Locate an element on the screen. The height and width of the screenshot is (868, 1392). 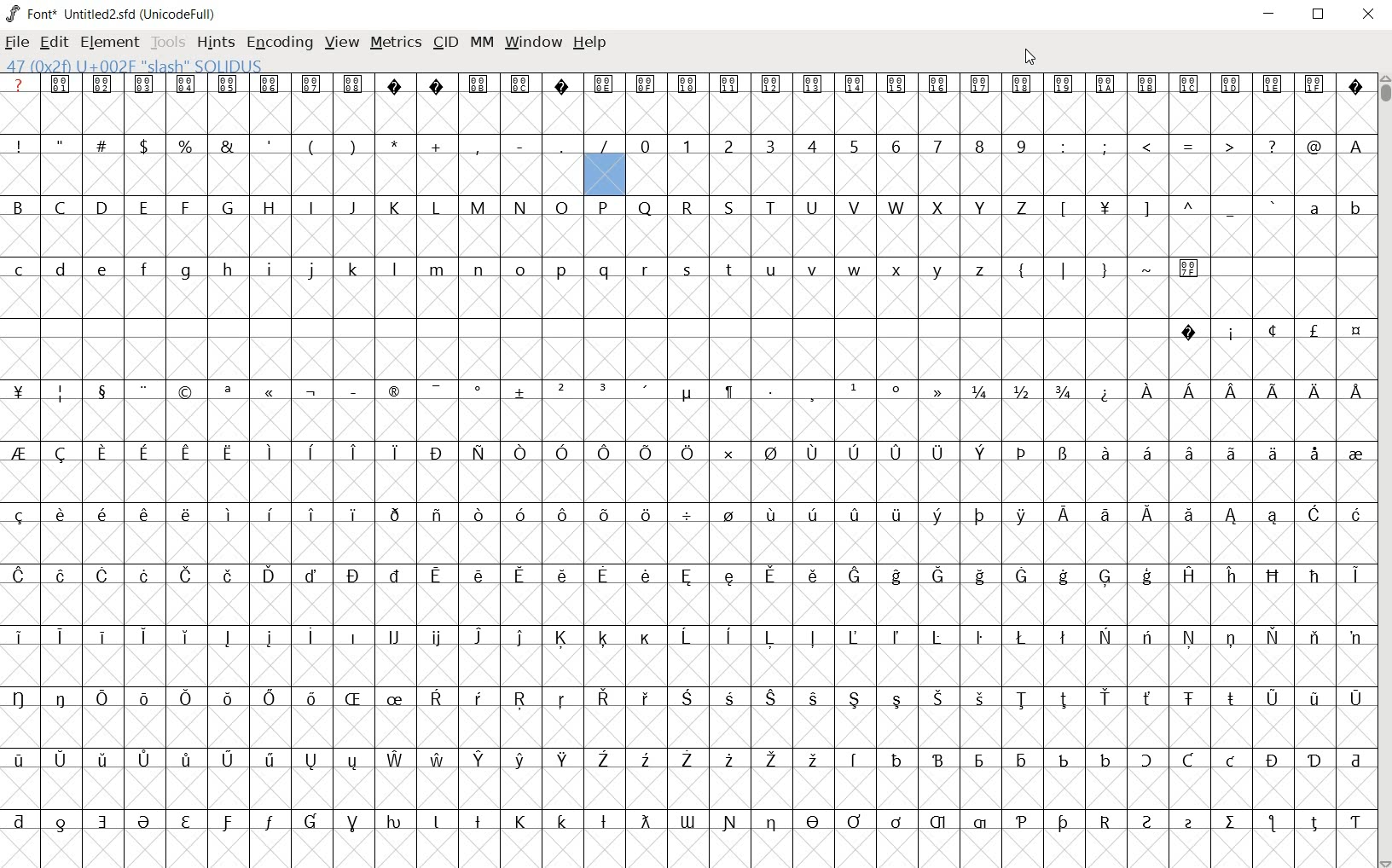
capital letters A - Z is located at coordinates (530, 208).